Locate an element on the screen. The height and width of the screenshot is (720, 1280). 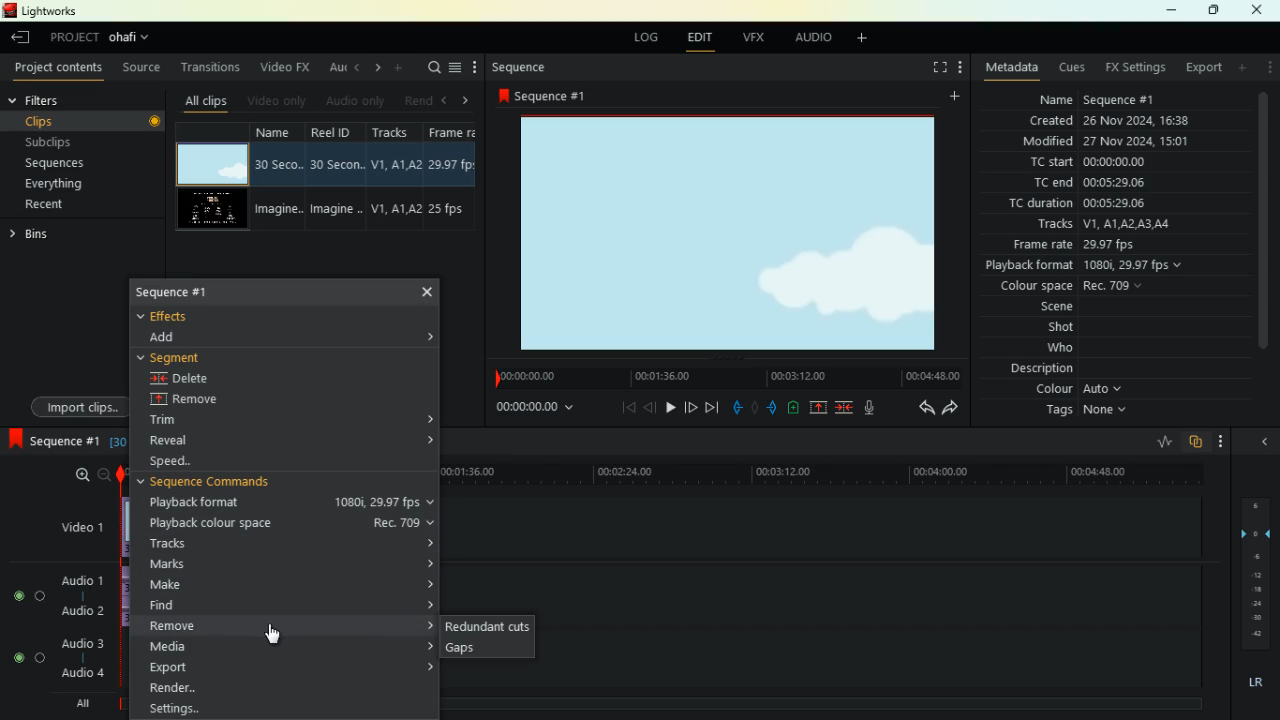
Accordion is located at coordinates (433, 441).